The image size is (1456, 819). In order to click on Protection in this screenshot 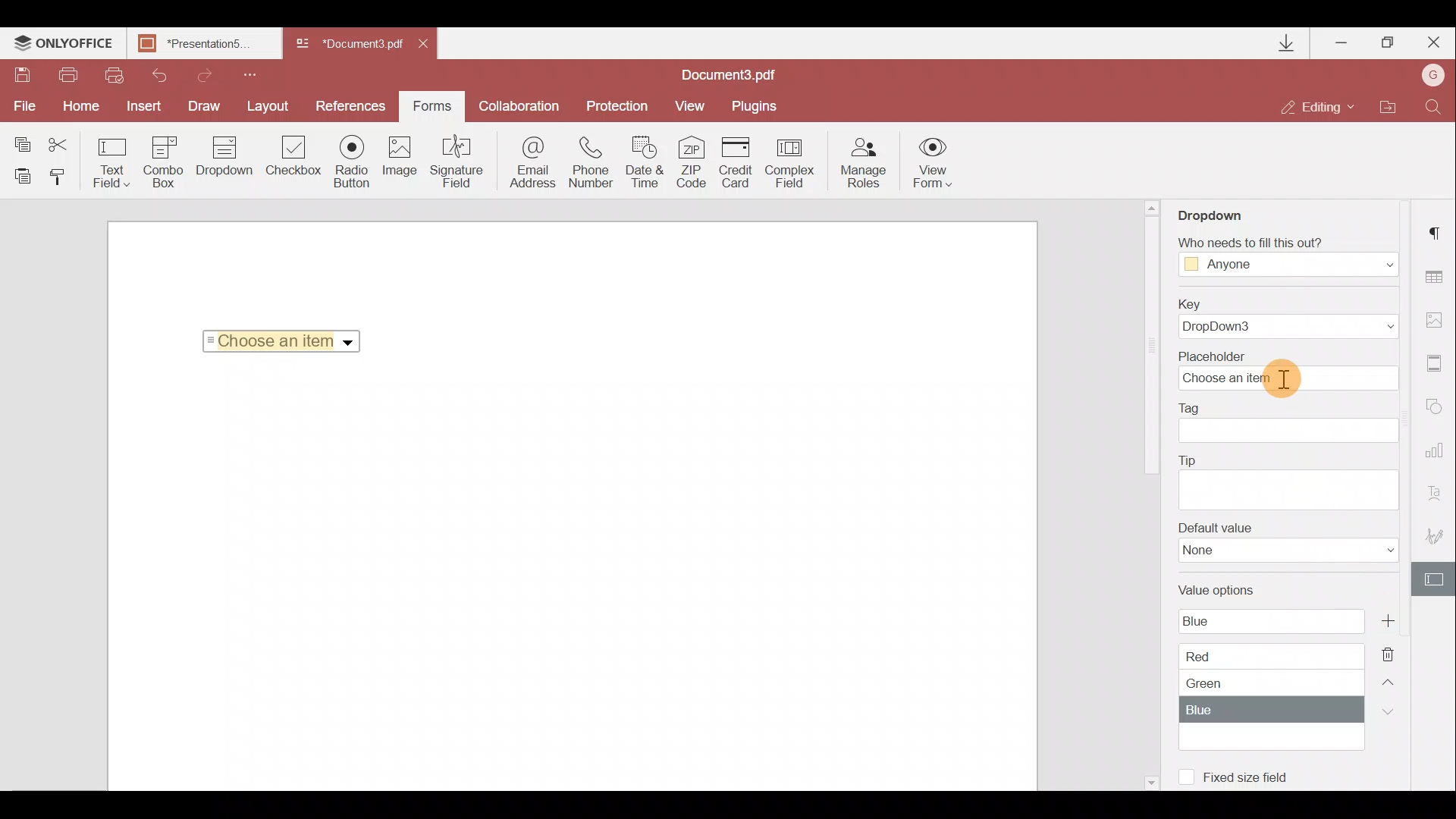, I will do `click(613, 108)`.